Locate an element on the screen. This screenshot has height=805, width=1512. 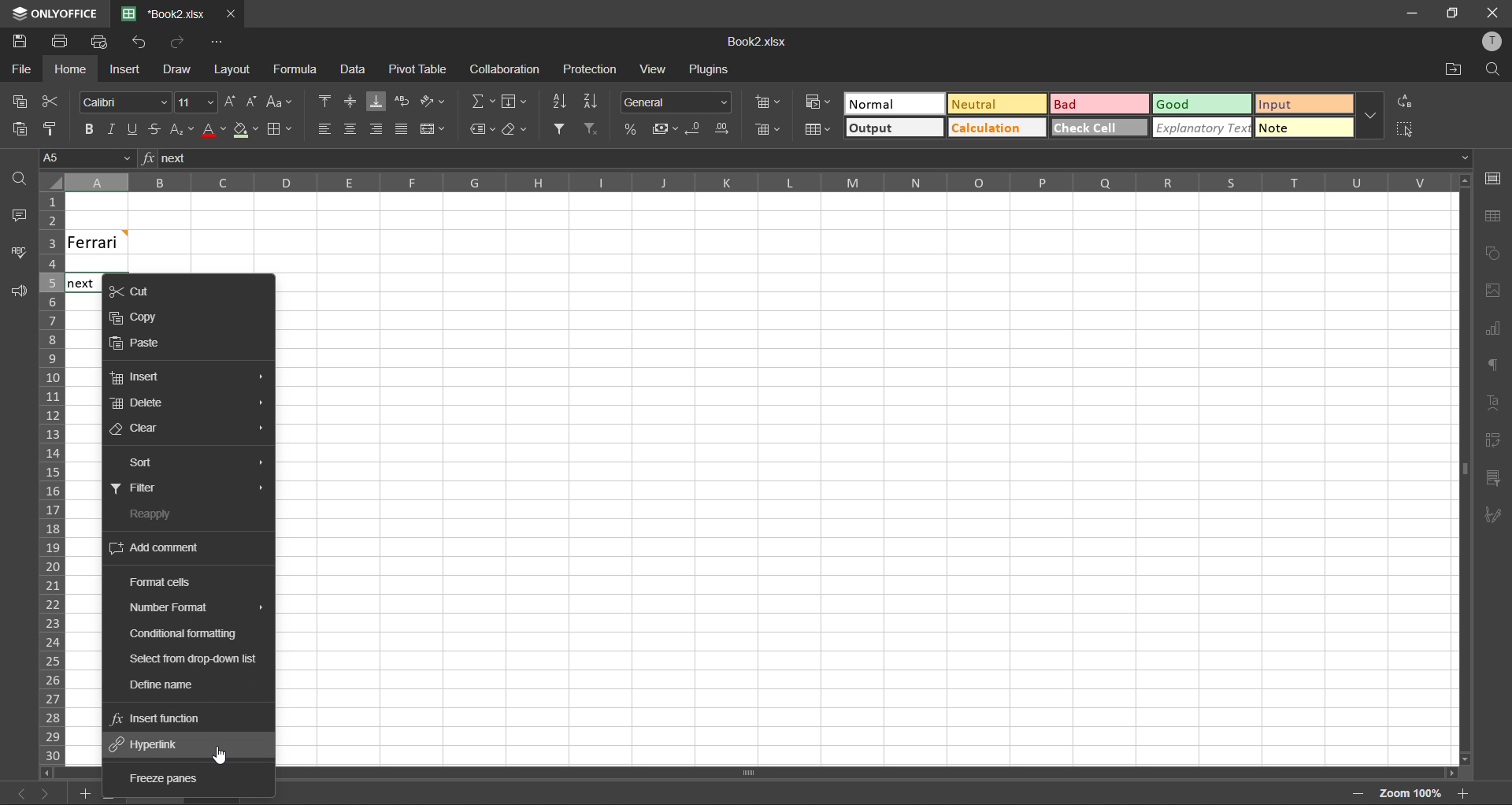
fill color is located at coordinates (246, 132).